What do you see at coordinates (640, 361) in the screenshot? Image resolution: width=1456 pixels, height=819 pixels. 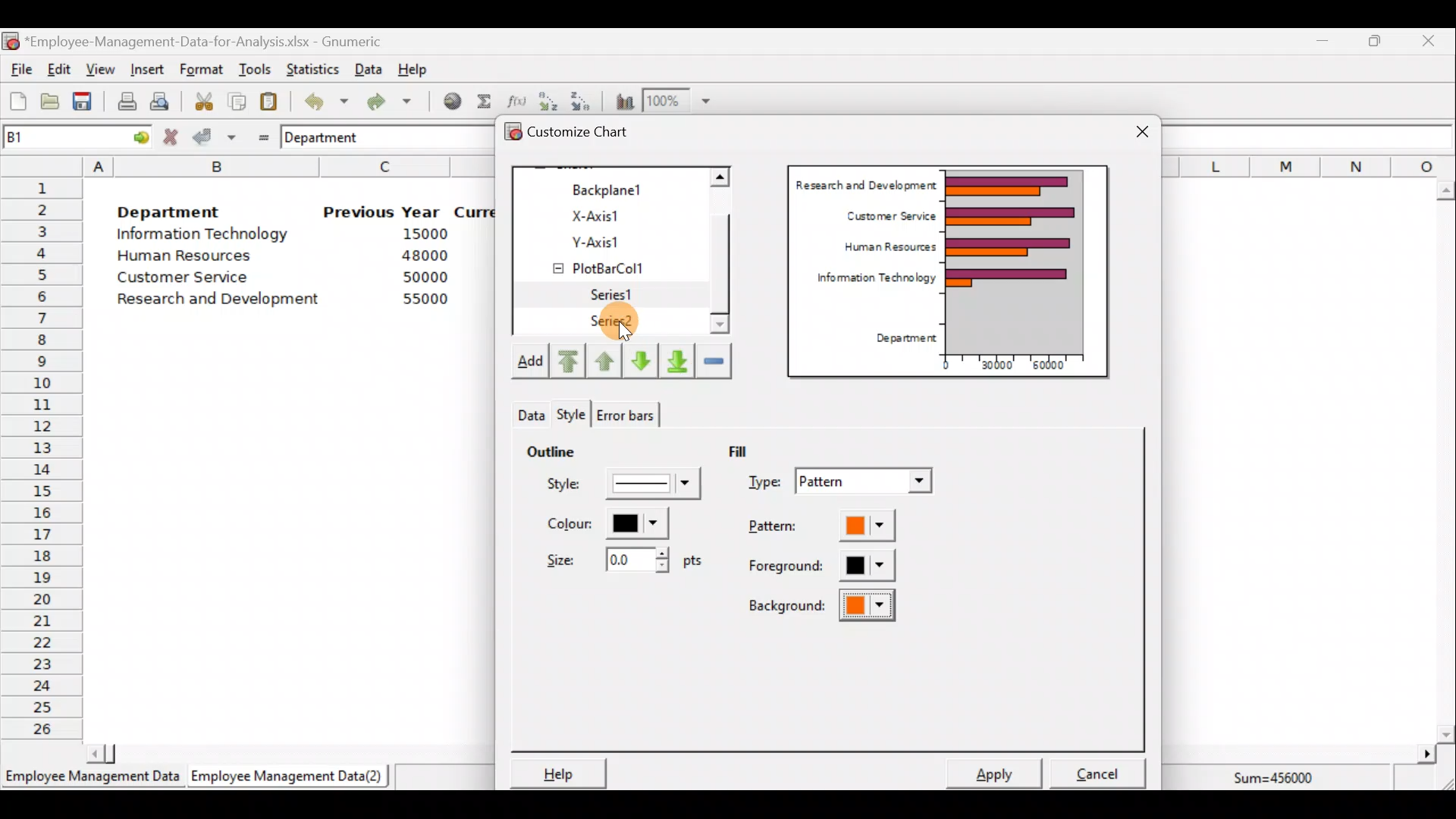 I see `Move down` at bounding box center [640, 361].